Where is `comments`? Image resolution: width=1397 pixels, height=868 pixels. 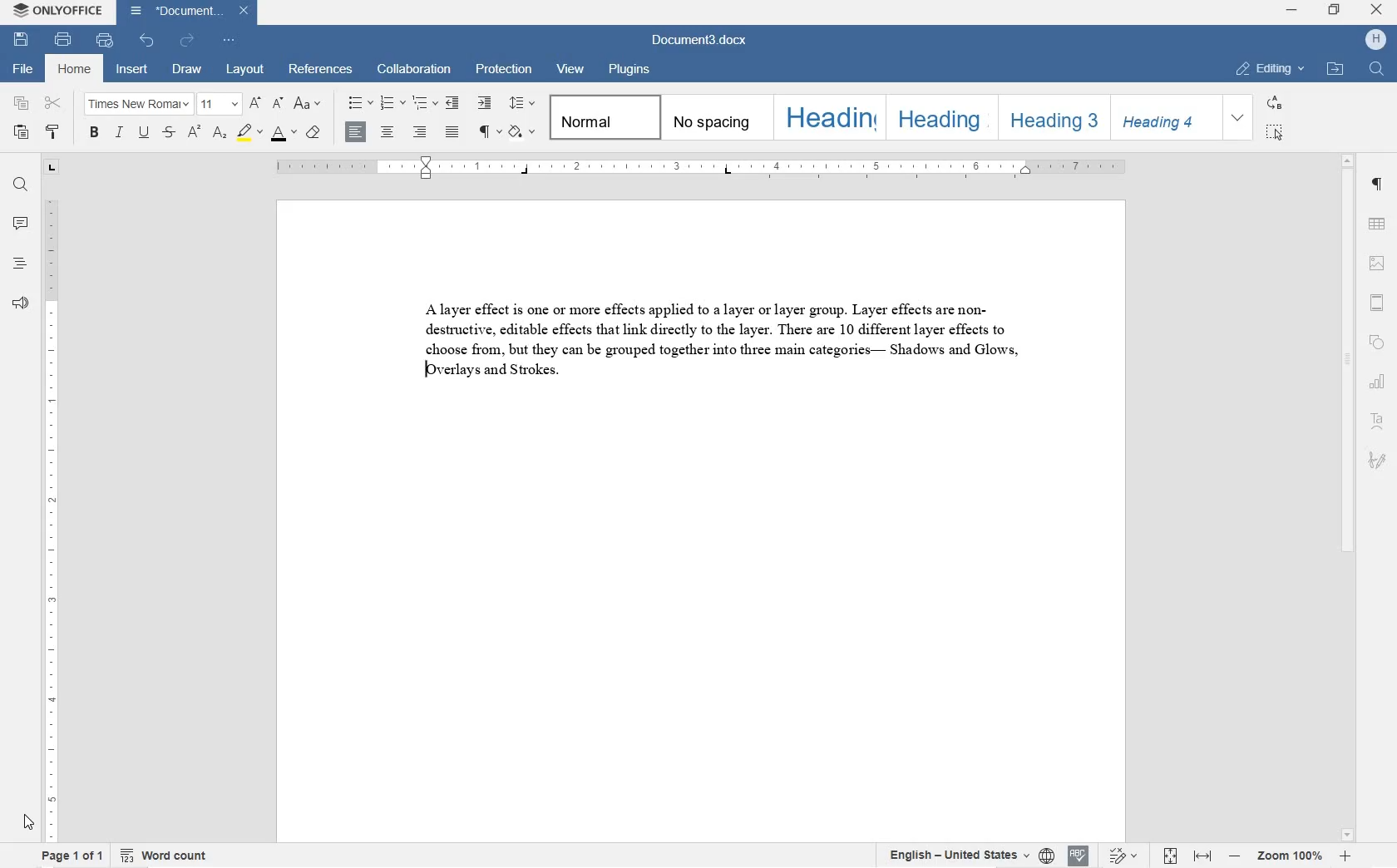
comments is located at coordinates (22, 225).